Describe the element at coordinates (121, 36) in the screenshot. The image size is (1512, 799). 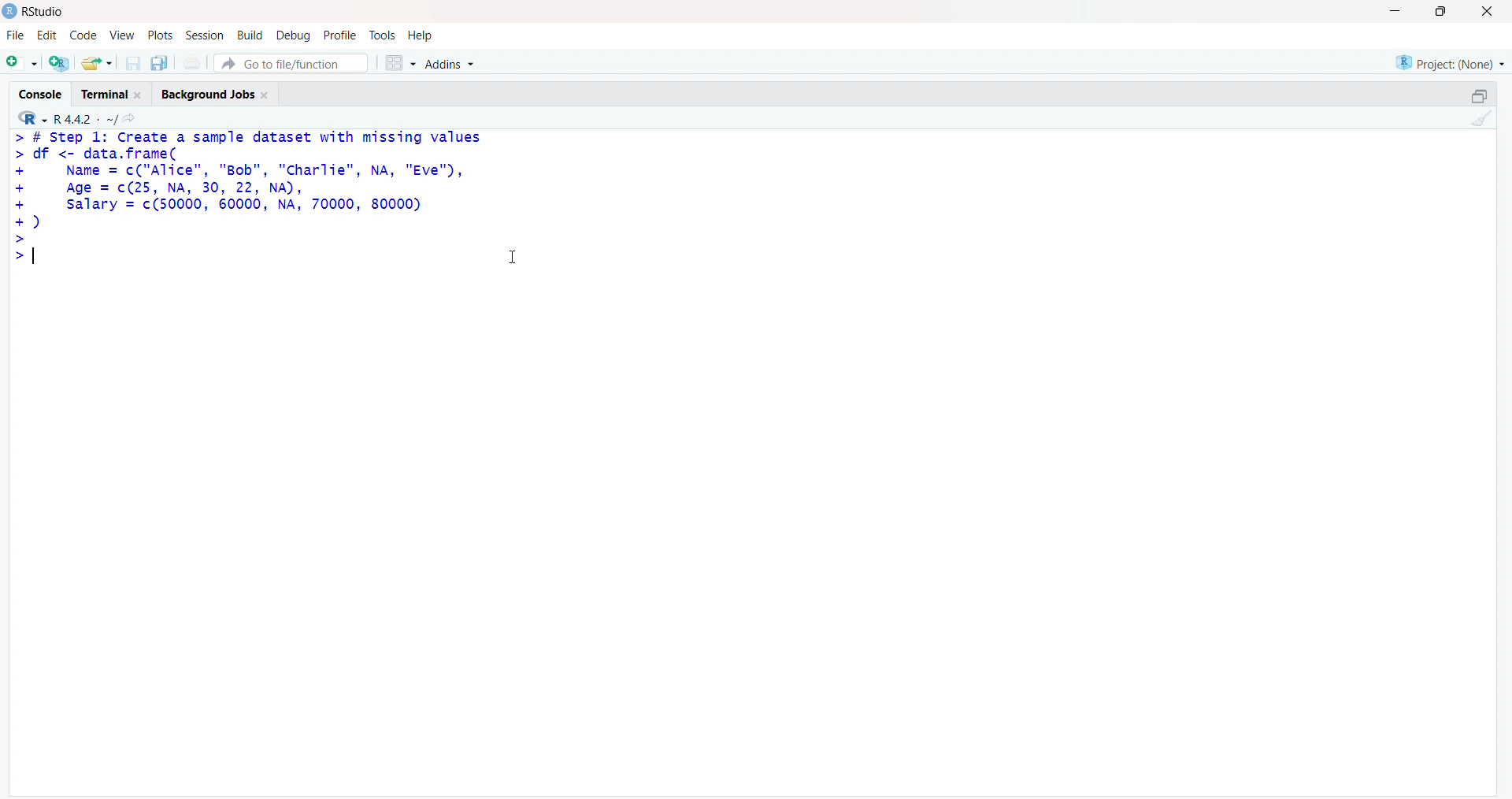
I see `View` at that location.